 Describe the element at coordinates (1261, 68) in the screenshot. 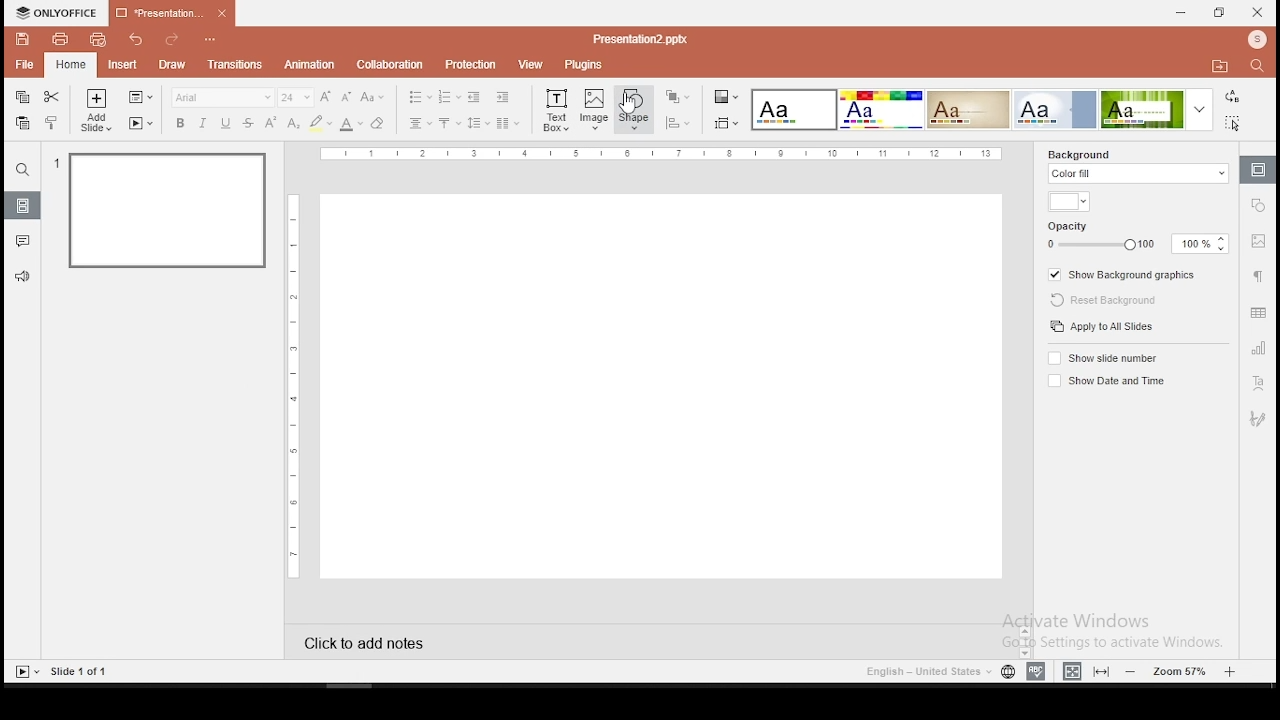

I see `find` at that location.